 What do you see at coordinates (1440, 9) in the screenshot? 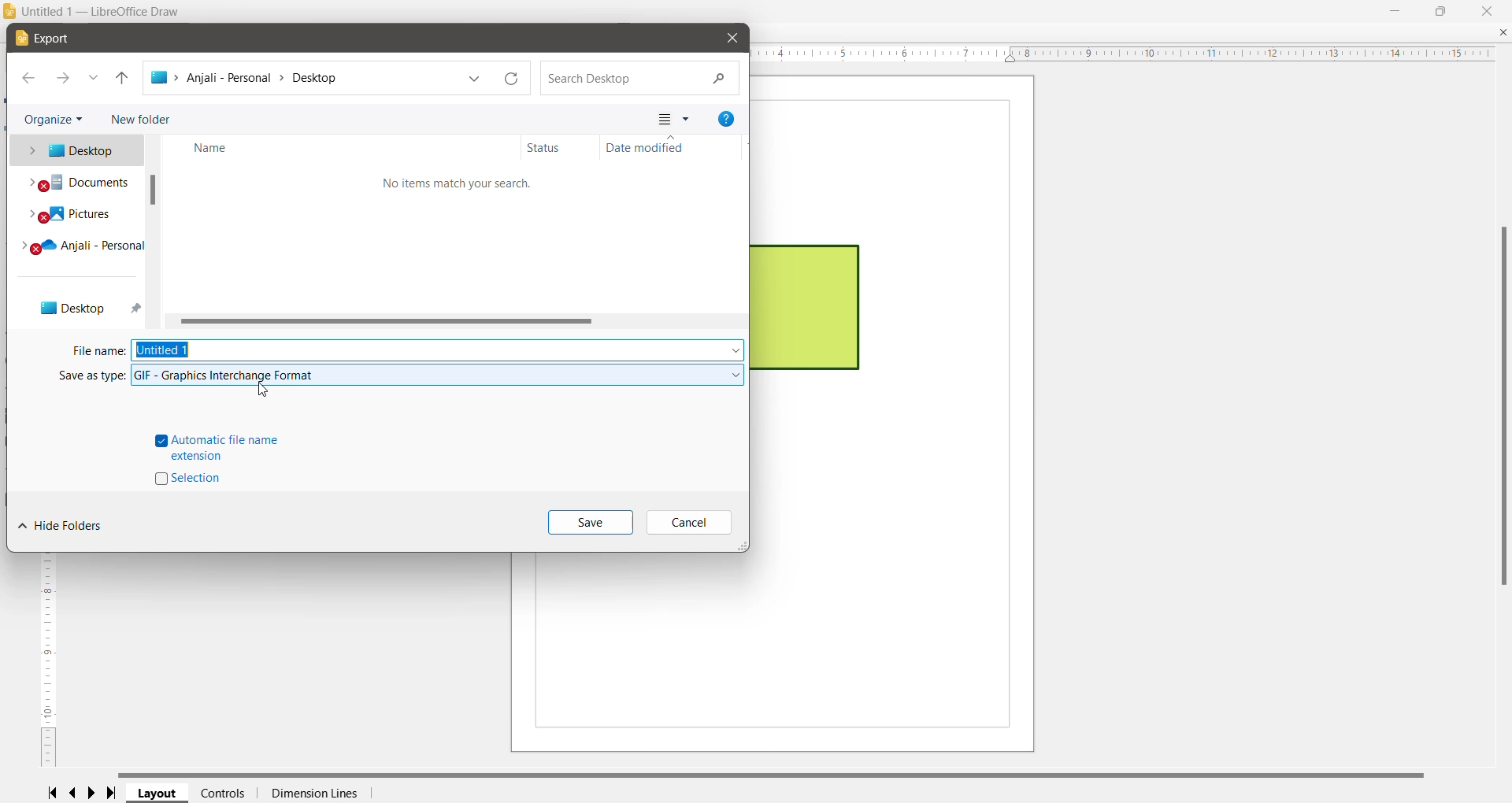
I see `Restore Down` at bounding box center [1440, 9].